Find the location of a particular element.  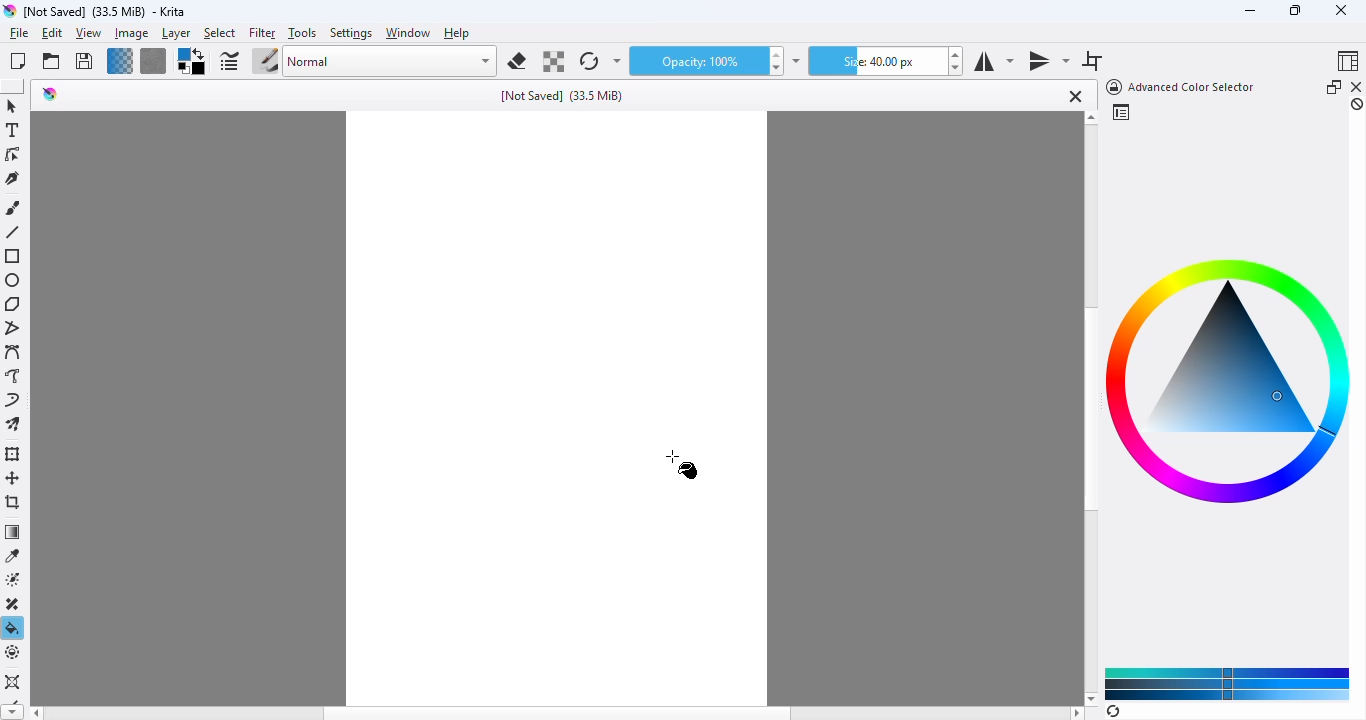

title is located at coordinates (562, 96).